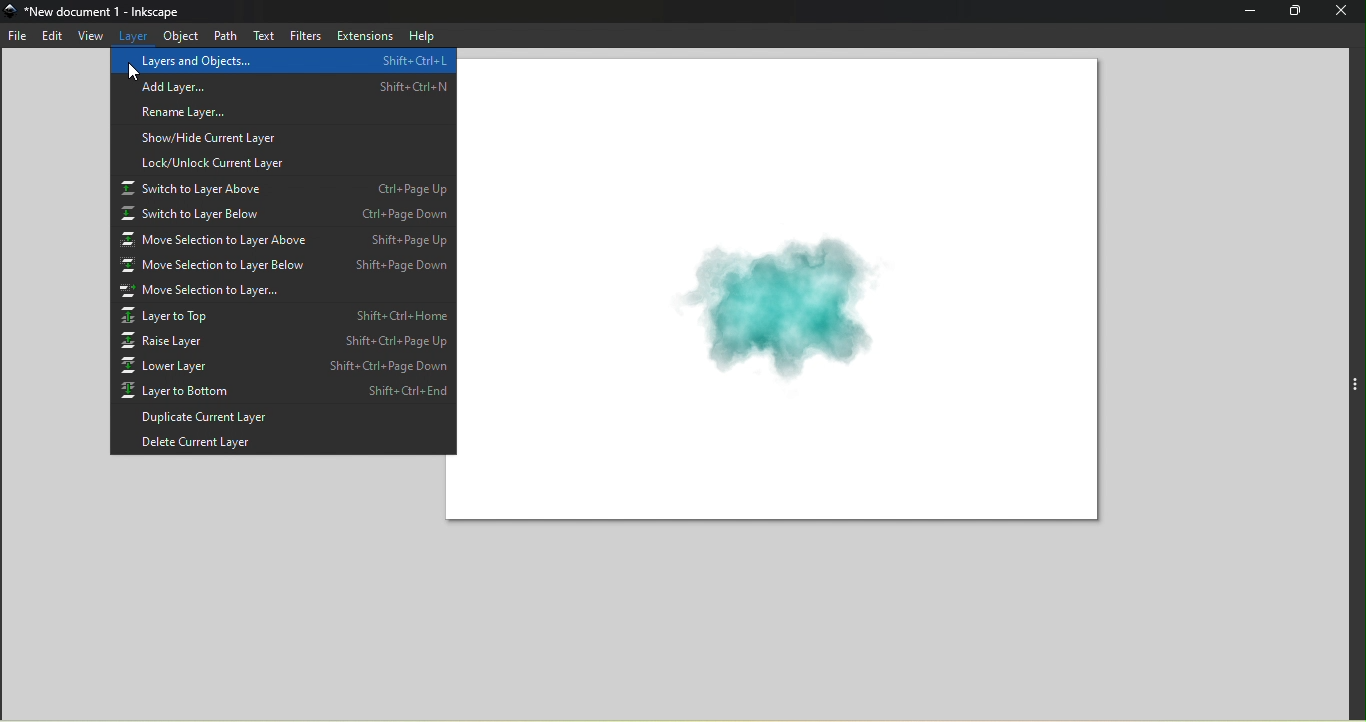 The image size is (1366, 722). I want to click on Minimize, so click(1245, 12).